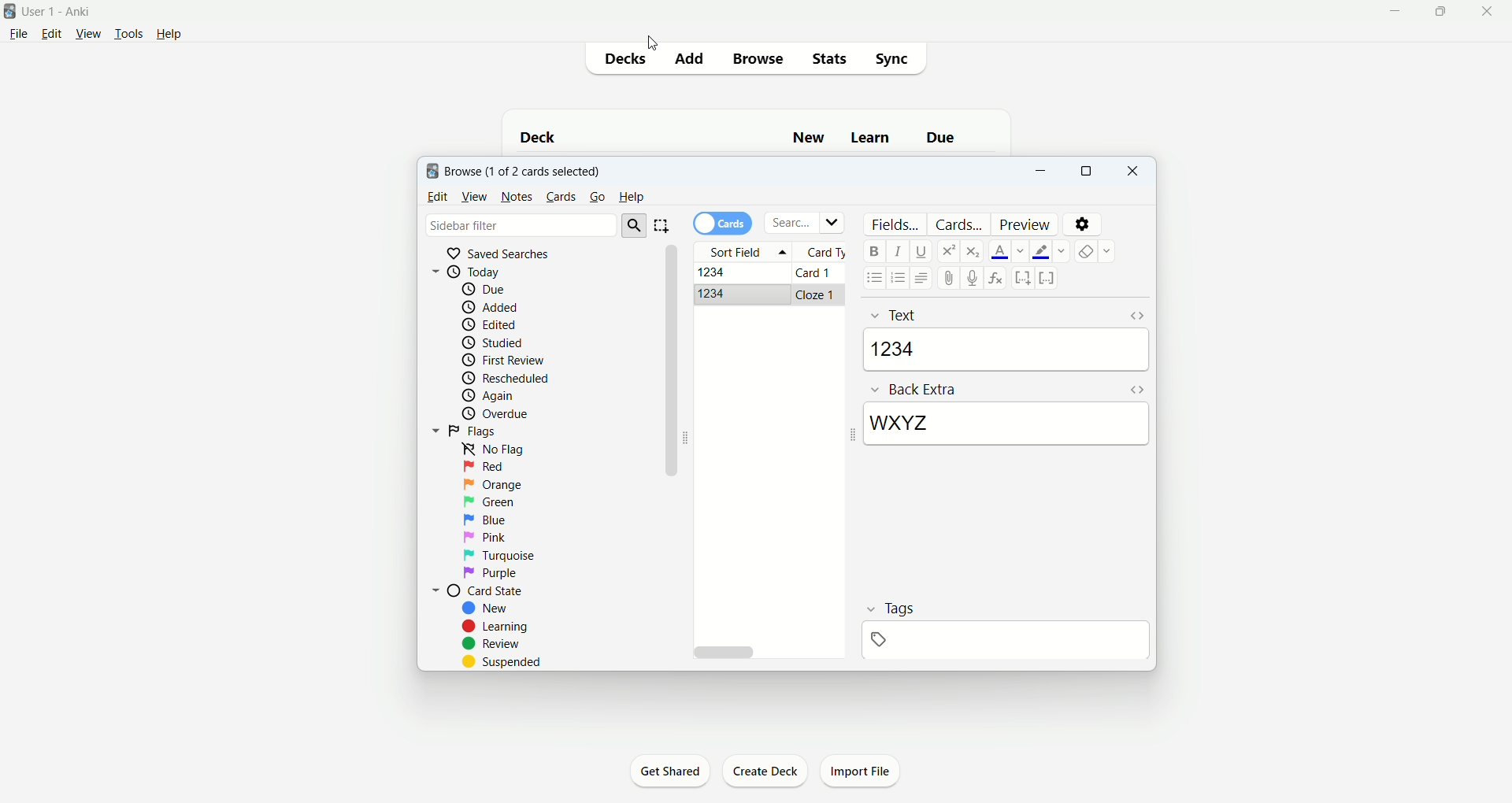 The width and height of the screenshot is (1512, 803). What do you see at coordinates (861, 771) in the screenshot?
I see `import file` at bounding box center [861, 771].